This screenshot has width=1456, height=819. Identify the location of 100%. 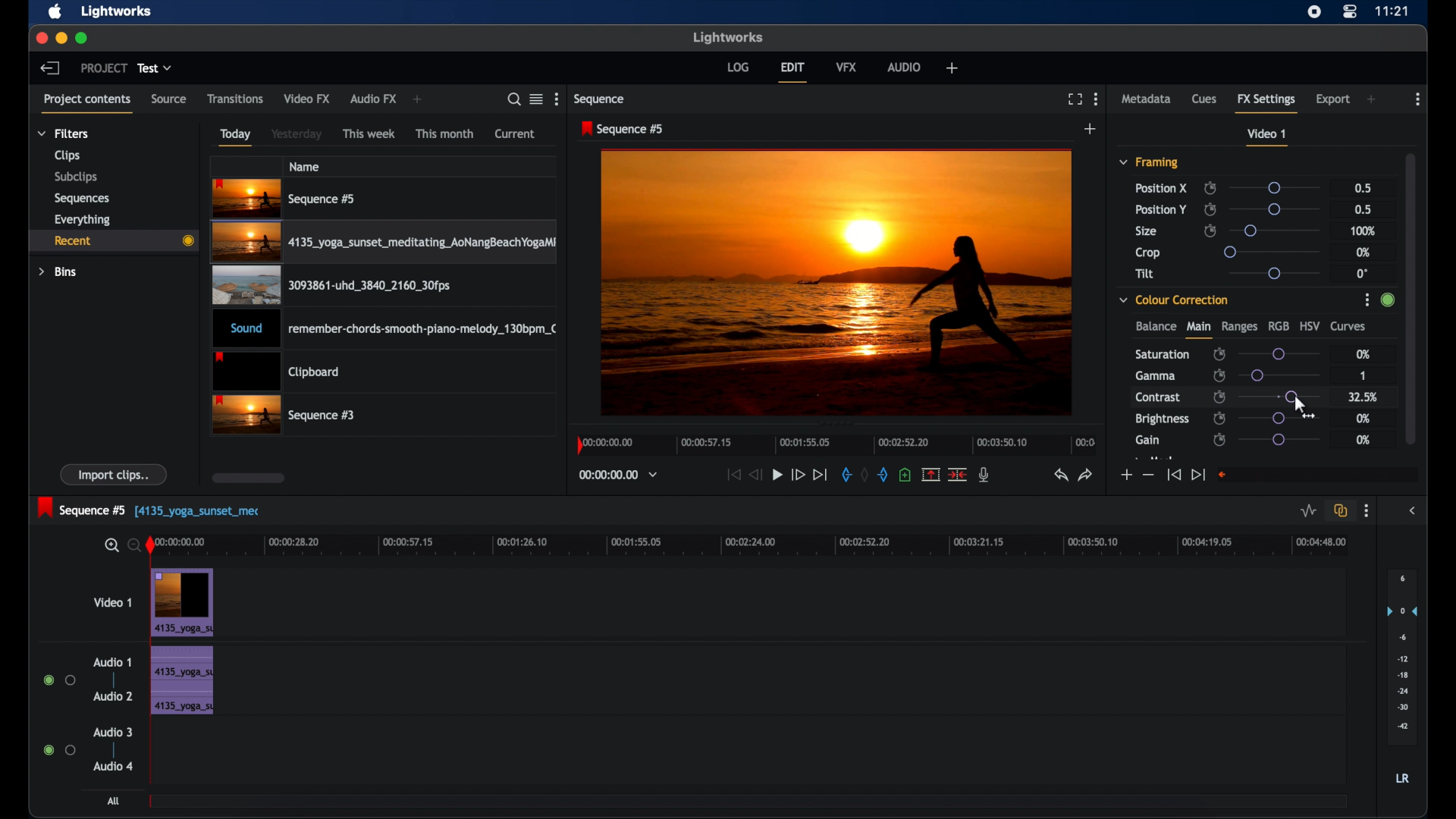
(1363, 232).